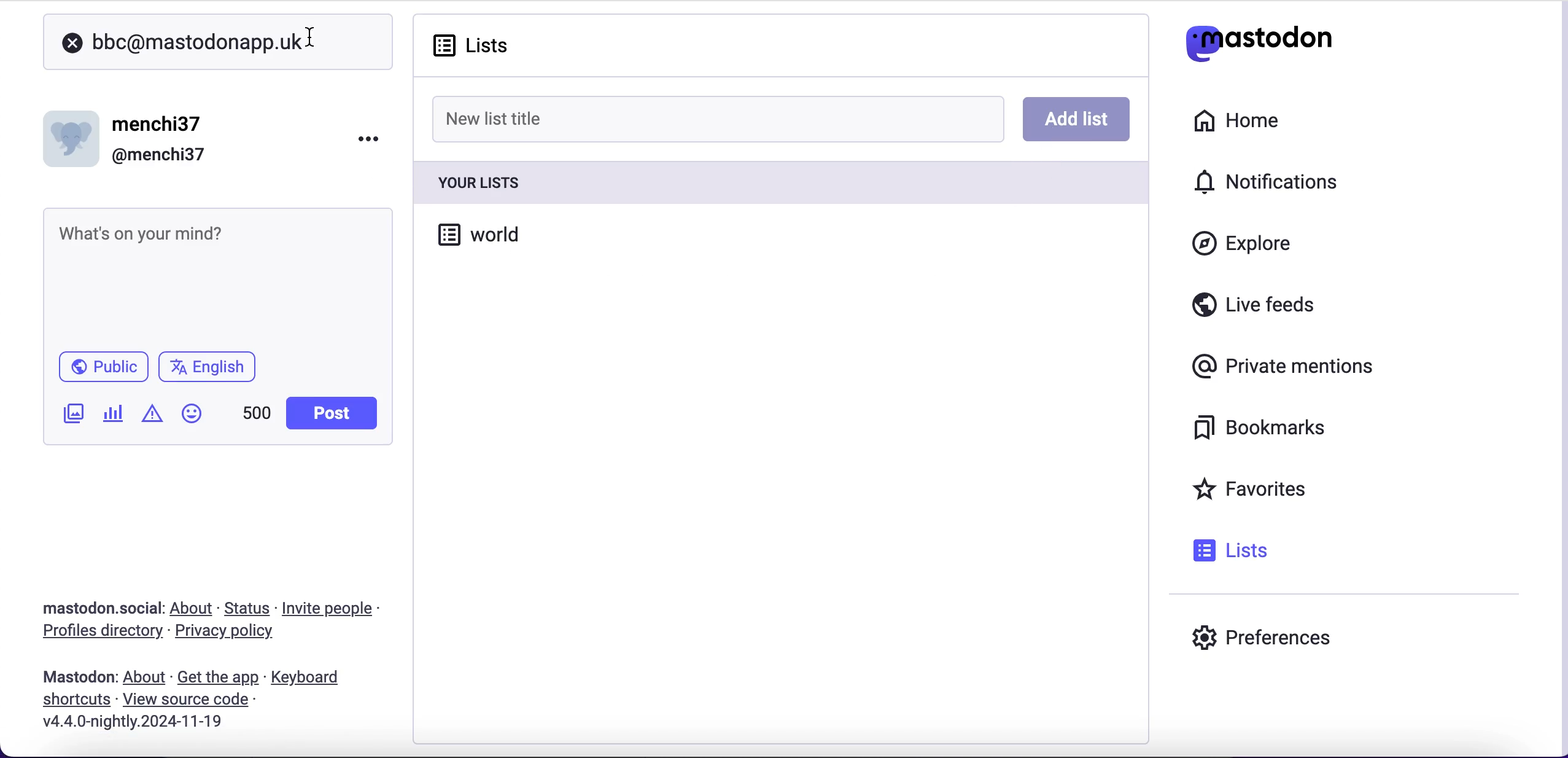 This screenshot has height=758, width=1568. I want to click on lists, so click(1231, 550).